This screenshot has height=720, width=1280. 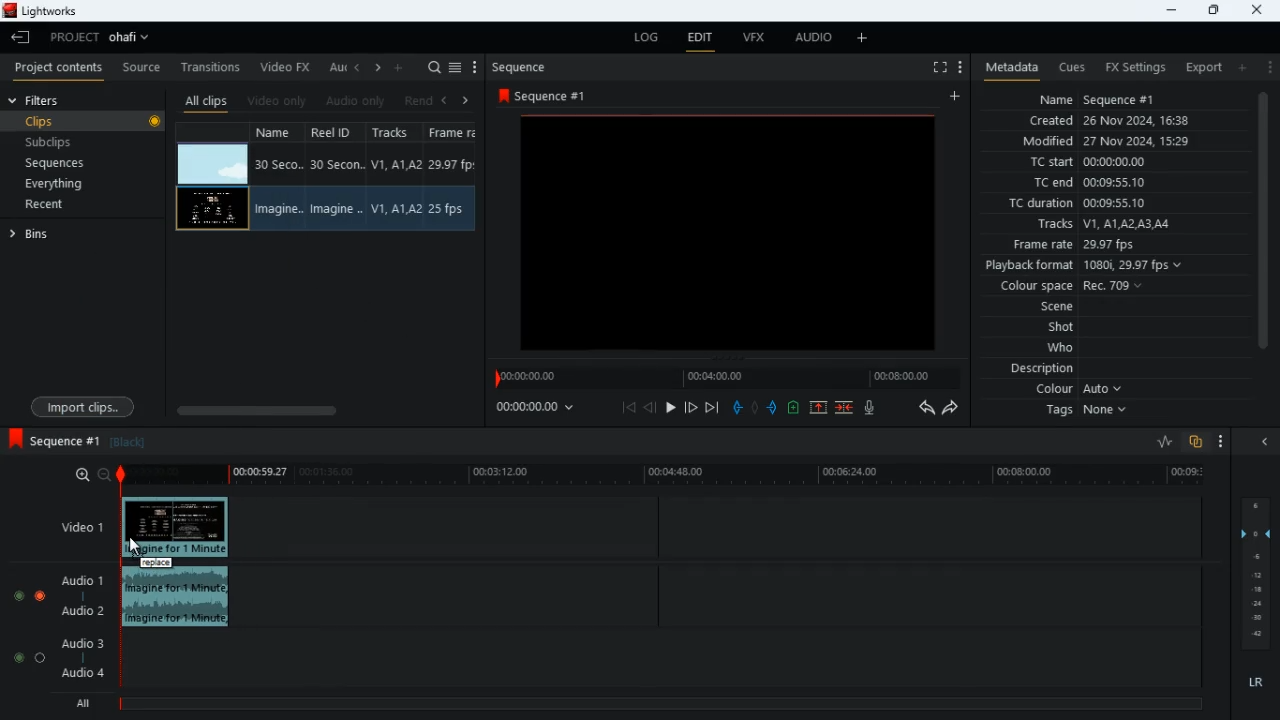 What do you see at coordinates (714, 409) in the screenshot?
I see `end` at bounding box center [714, 409].